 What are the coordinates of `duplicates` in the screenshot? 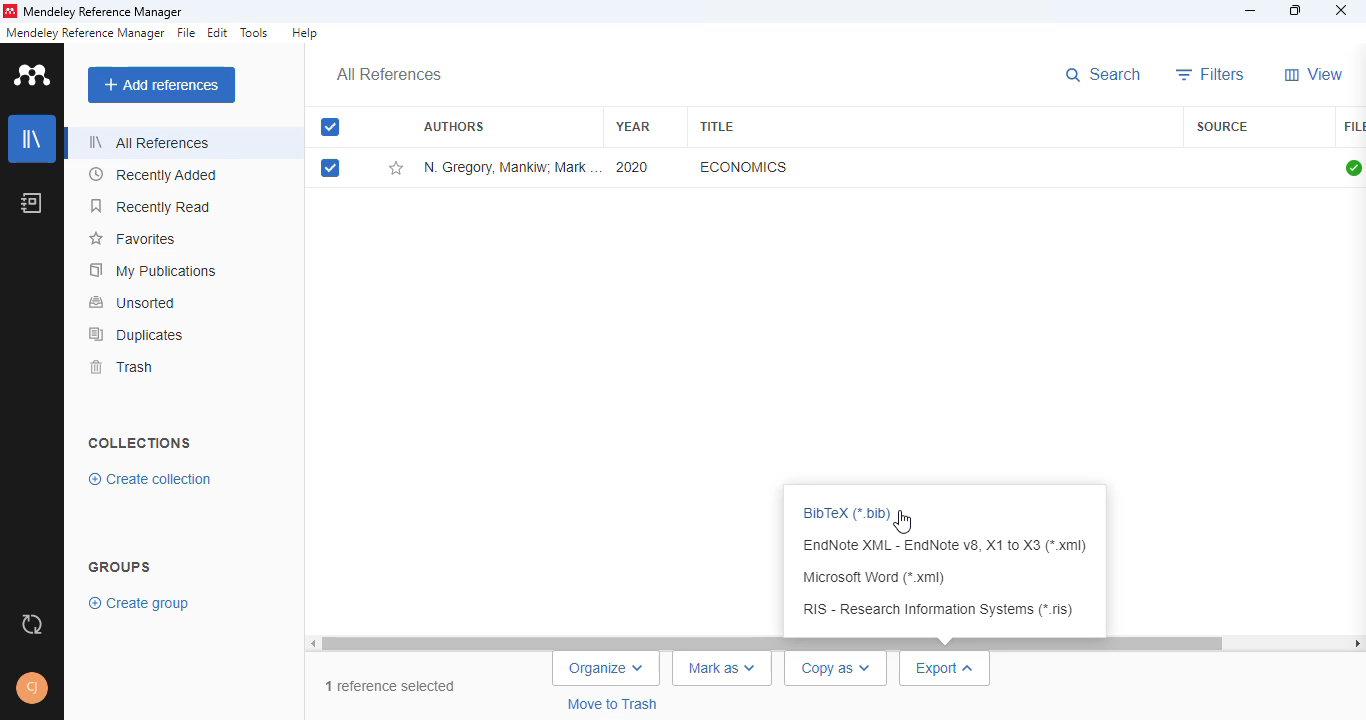 It's located at (137, 335).